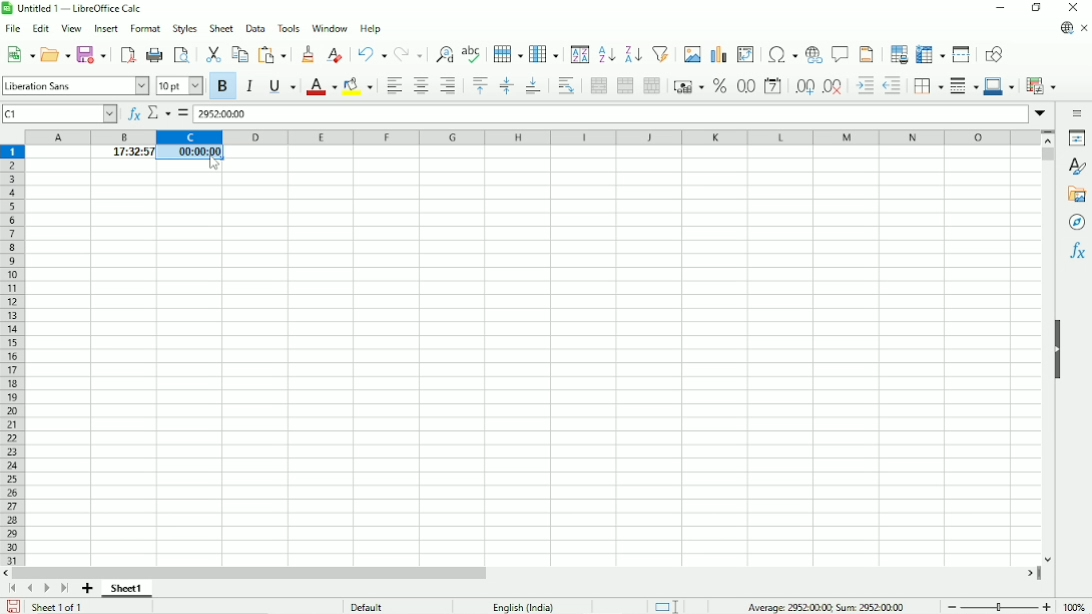 This screenshot has height=614, width=1092. Describe the element at coordinates (211, 166) in the screenshot. I see `Cursor` at that location.